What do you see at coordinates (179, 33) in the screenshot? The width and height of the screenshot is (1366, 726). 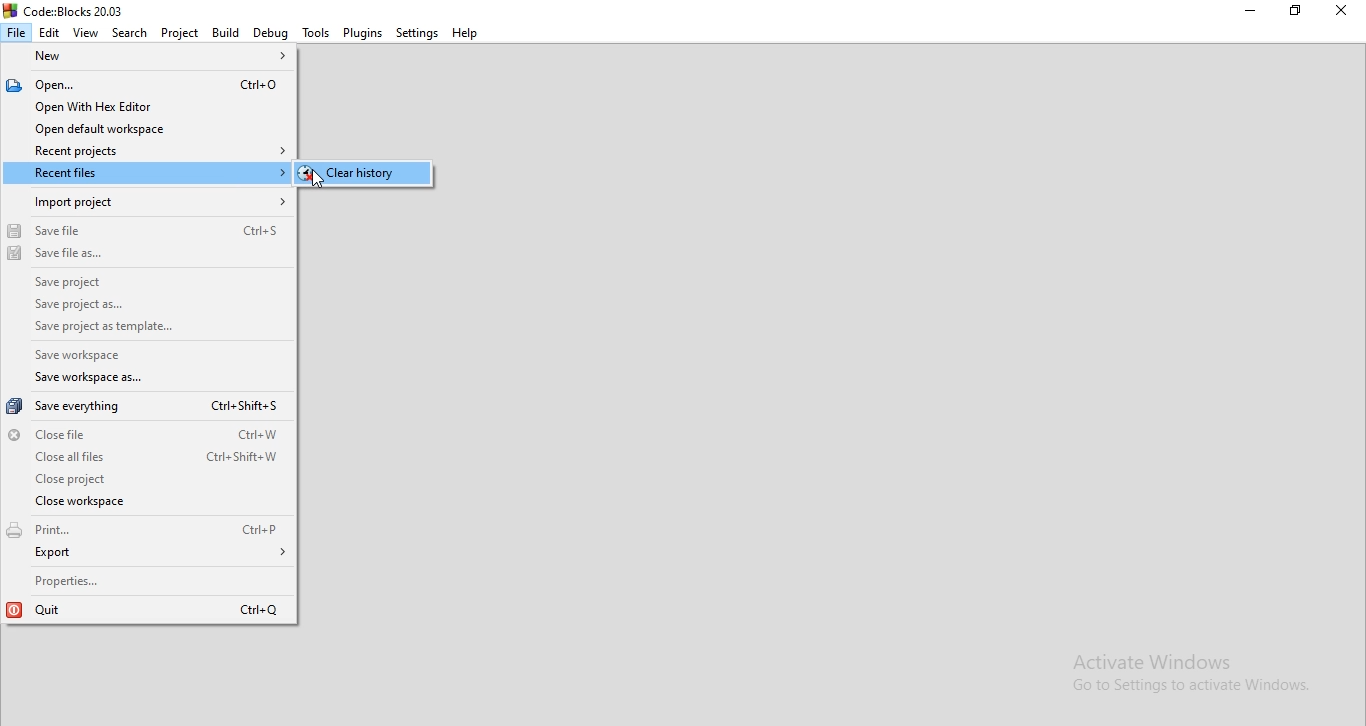 I see `Project ` at bounding box center [179, 33].